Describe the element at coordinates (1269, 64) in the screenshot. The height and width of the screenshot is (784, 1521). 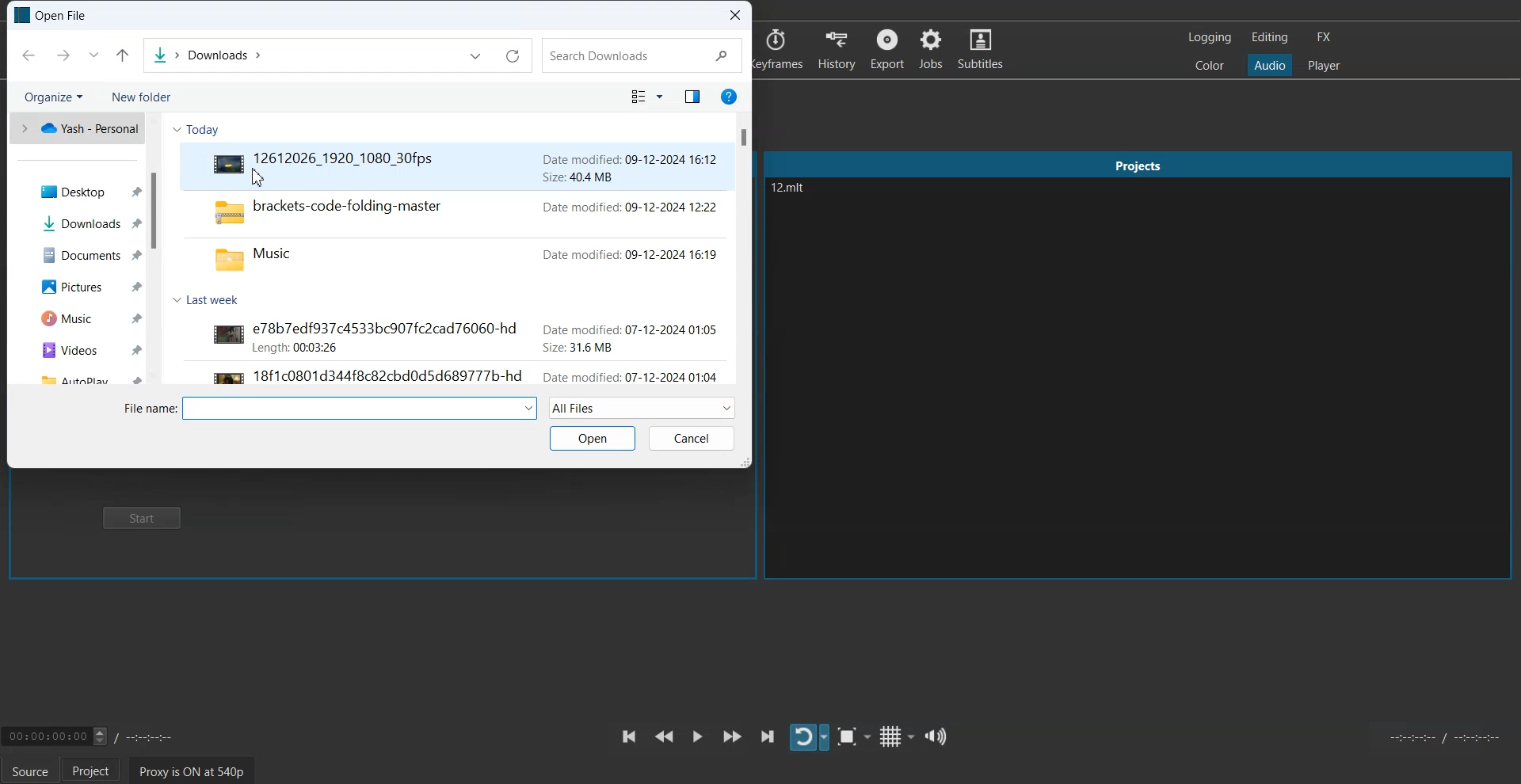
I see `Audio` at that location.